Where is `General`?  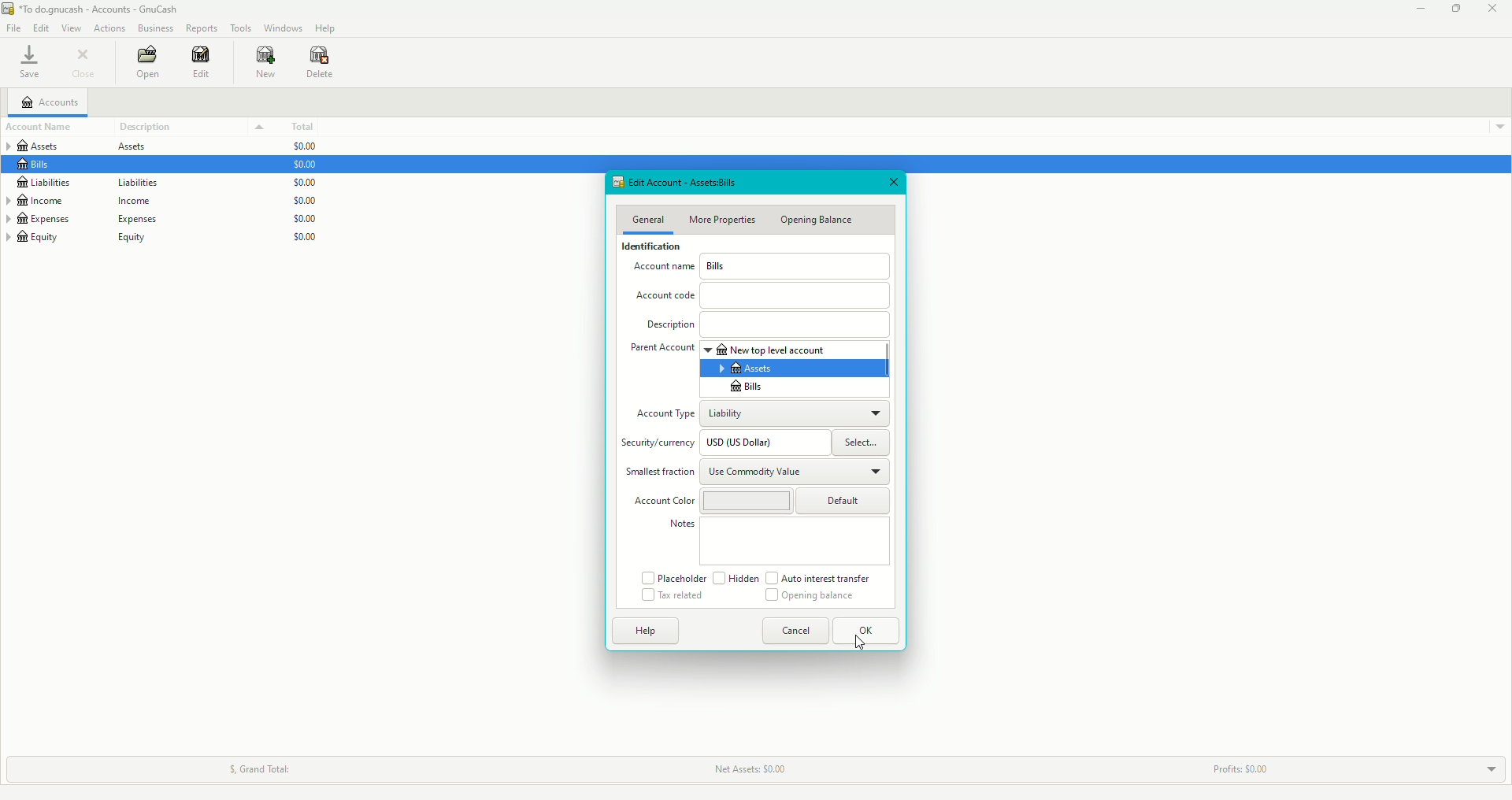 General is located at coordinates (648, 220).